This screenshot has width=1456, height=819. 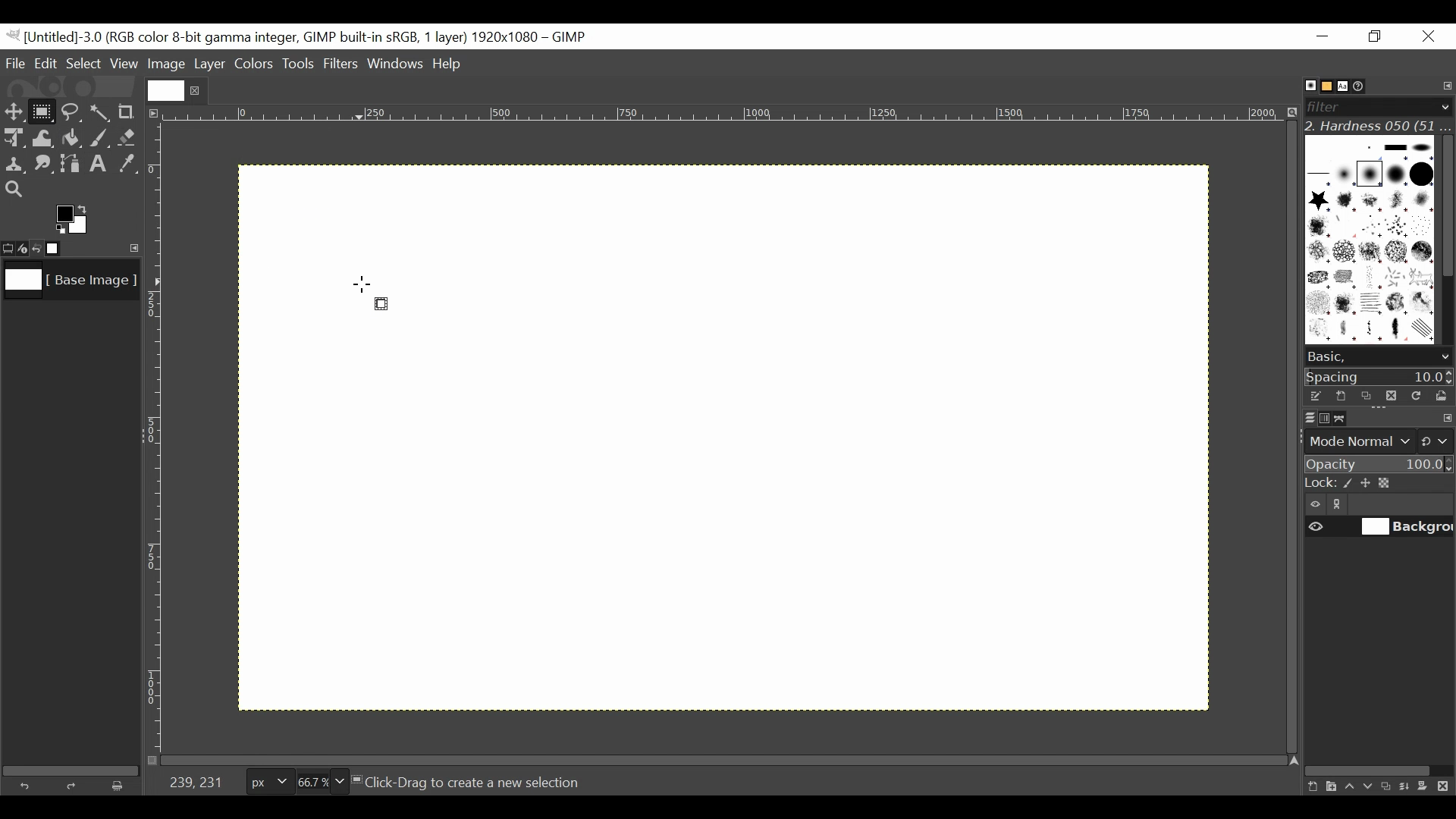 What do you see at coordinates (129, 139) in the screenshot?
I see `Eraser tool` at bounding box center [129, 139].